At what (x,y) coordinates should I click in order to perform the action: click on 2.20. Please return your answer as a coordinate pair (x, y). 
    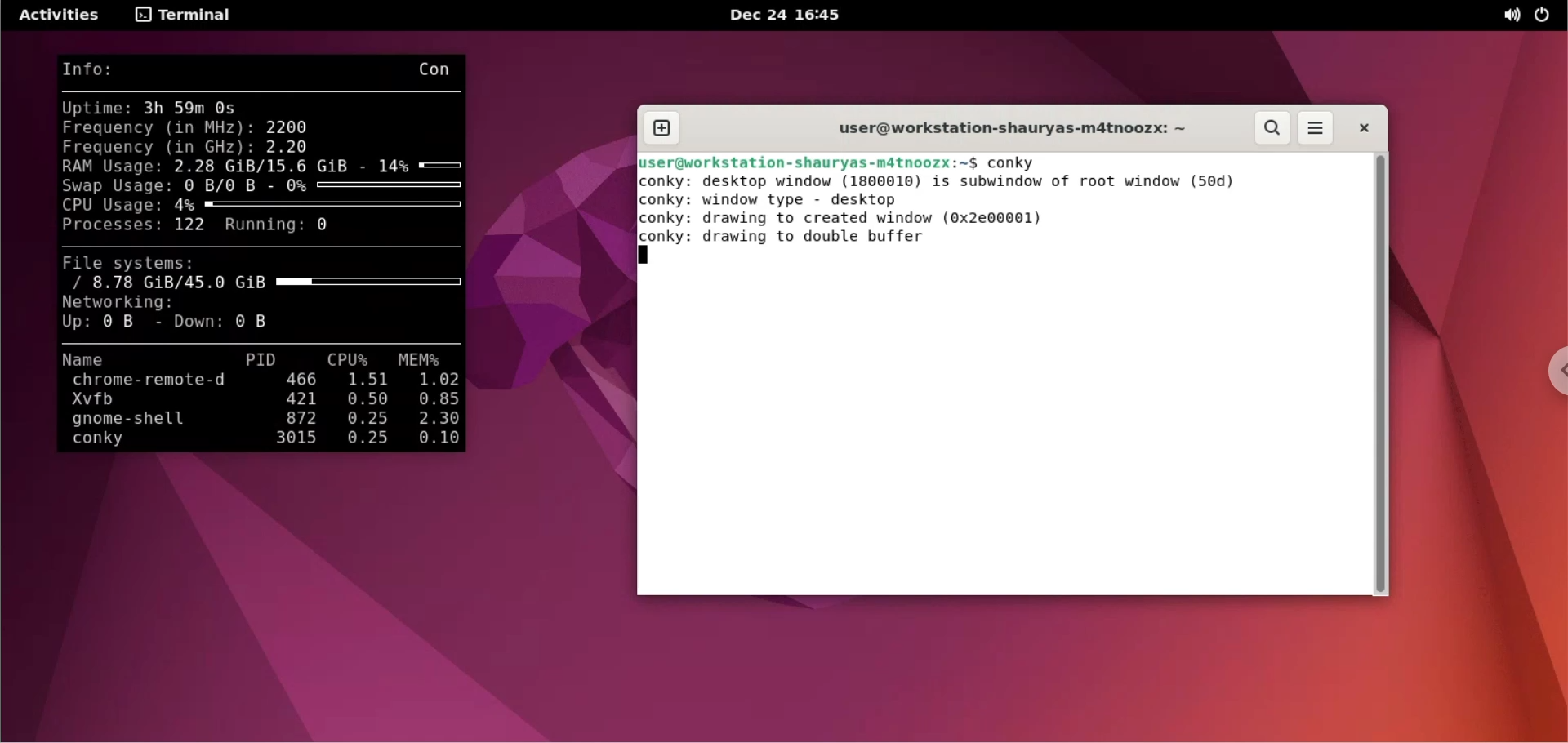
    Looking at the image, I should click on (287, 147).